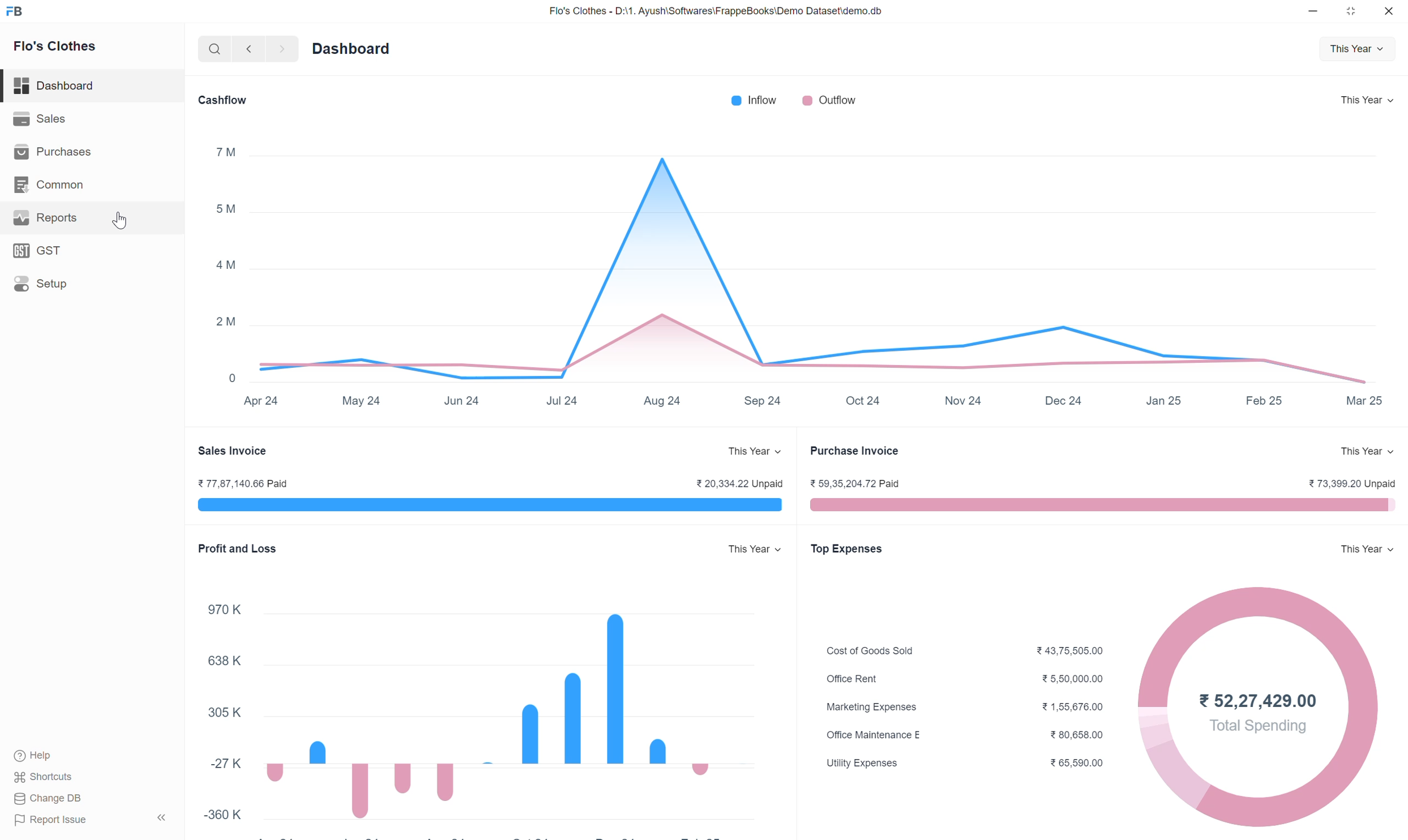 The height and width of the screenshot is (840, 1408). I want to click on Purchase Invoice, so click(861, 451).